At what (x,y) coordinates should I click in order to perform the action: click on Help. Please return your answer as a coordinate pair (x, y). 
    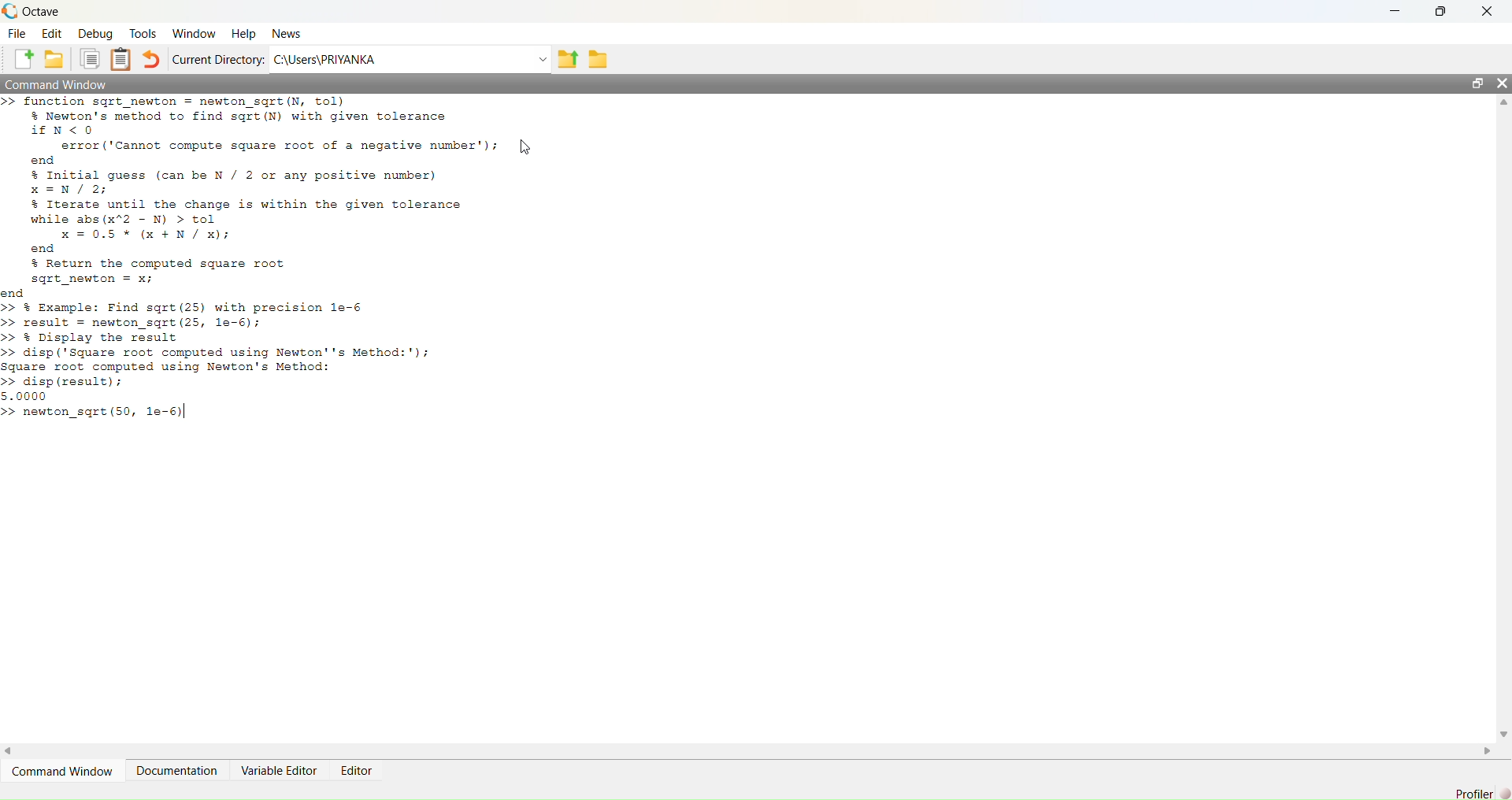
    Looking at the image, I should click on (243, 33).